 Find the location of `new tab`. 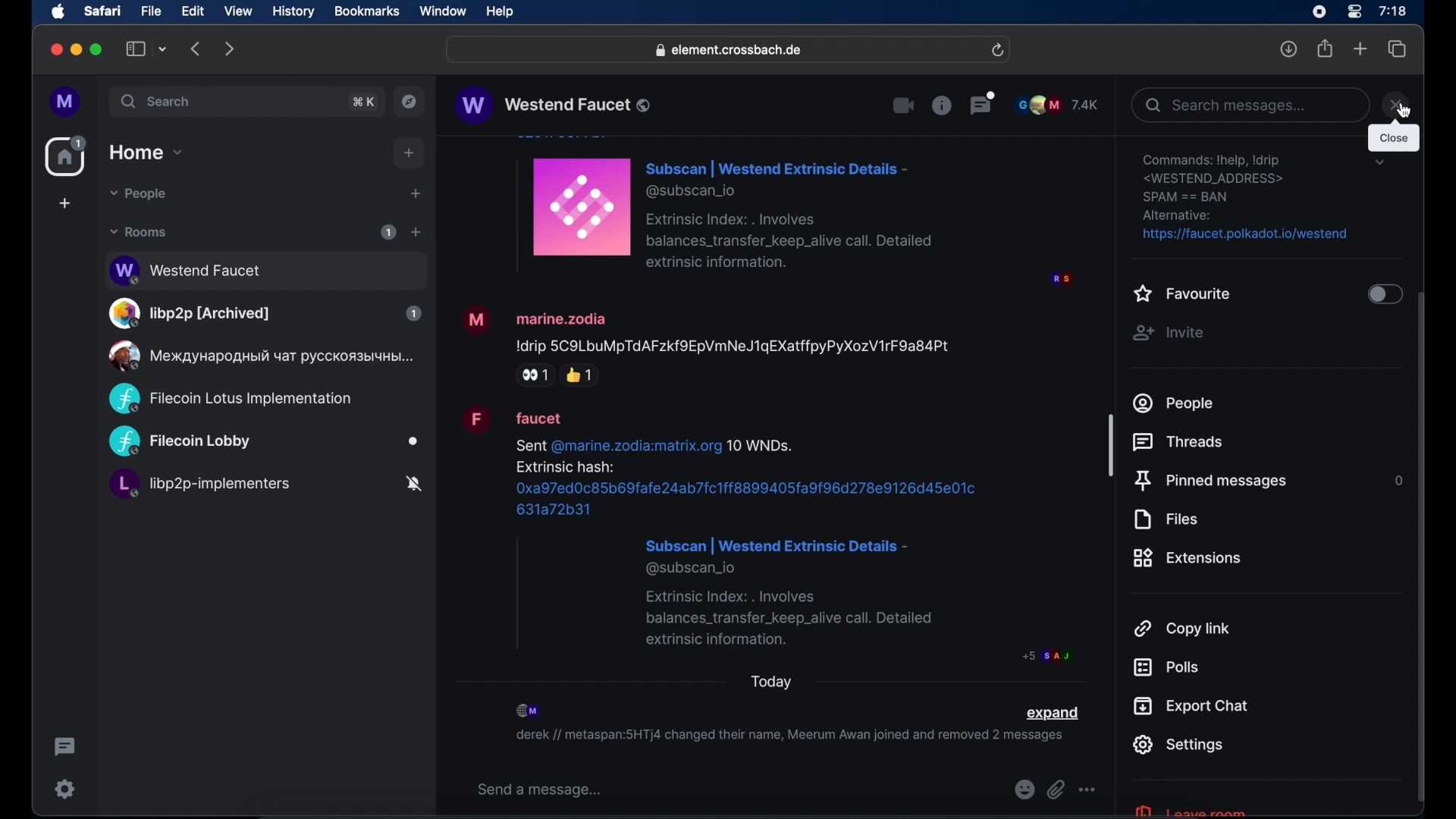

new tab is located at coordinates (1360, 48).